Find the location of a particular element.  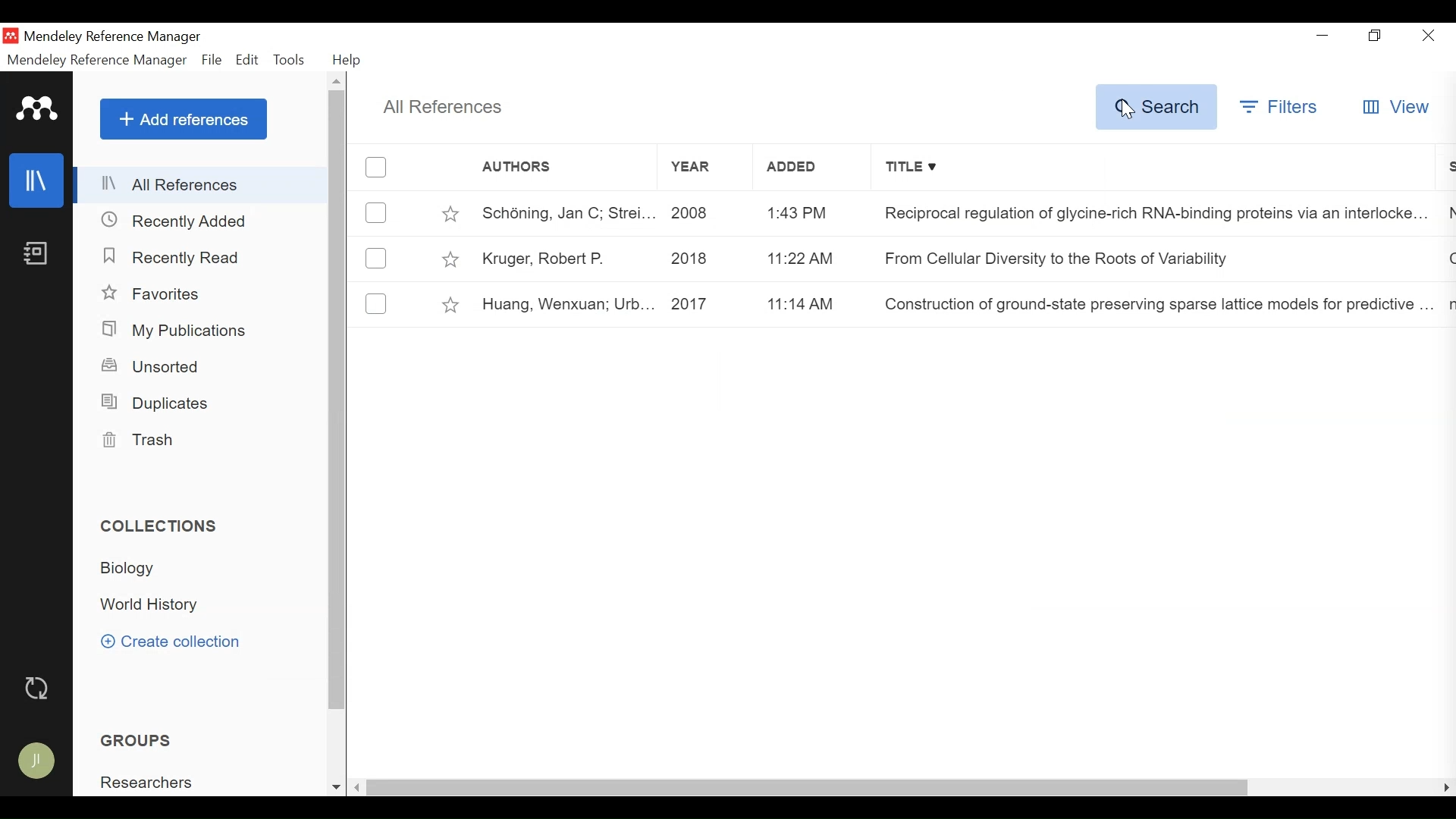

Scroll Right is located at coordinates (1445, 787).